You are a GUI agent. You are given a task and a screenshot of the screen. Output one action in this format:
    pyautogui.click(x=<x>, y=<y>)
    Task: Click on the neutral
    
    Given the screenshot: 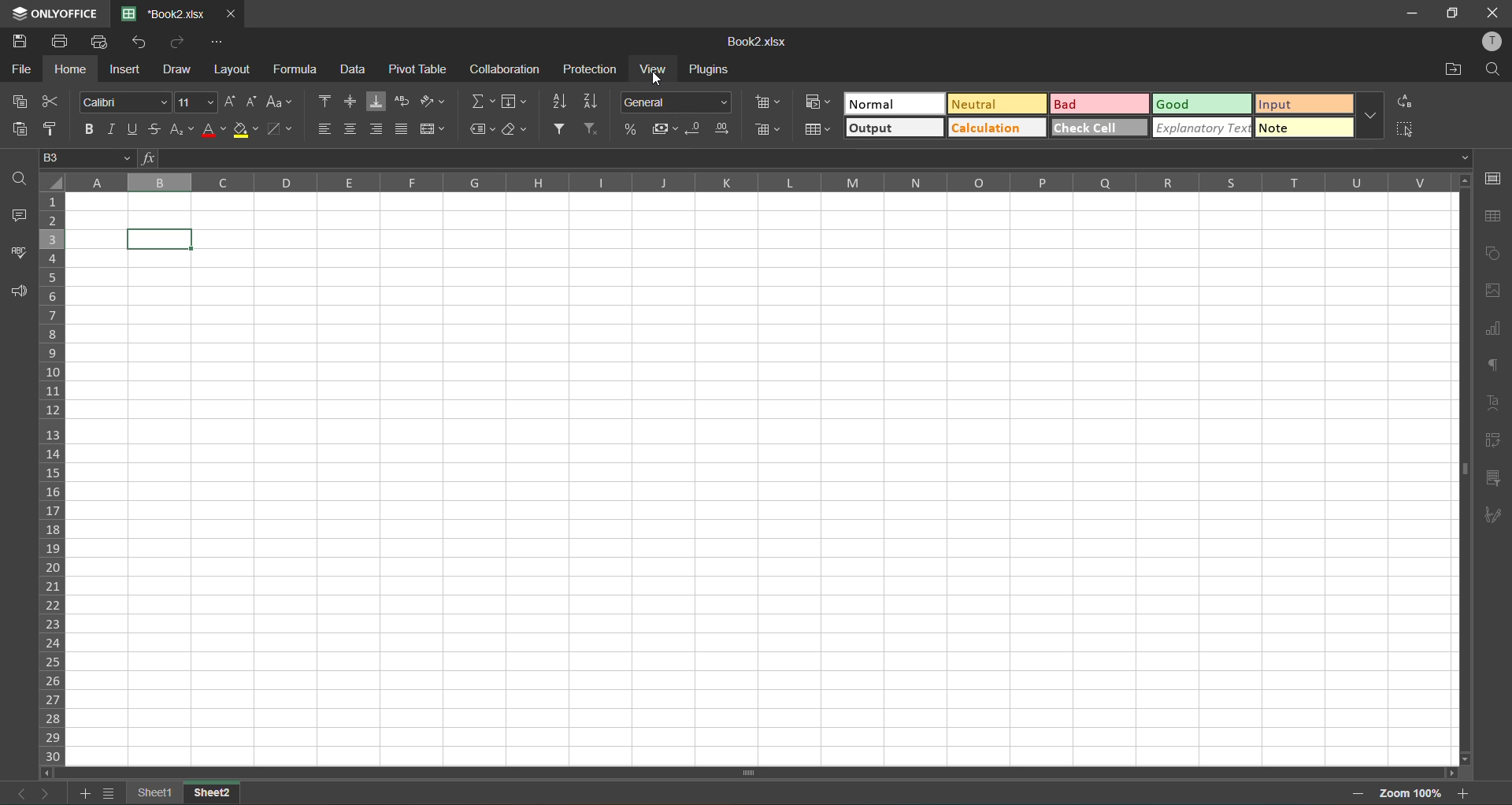 What is the action you would take?
    pyautogui.click(x=998, y=106)
    